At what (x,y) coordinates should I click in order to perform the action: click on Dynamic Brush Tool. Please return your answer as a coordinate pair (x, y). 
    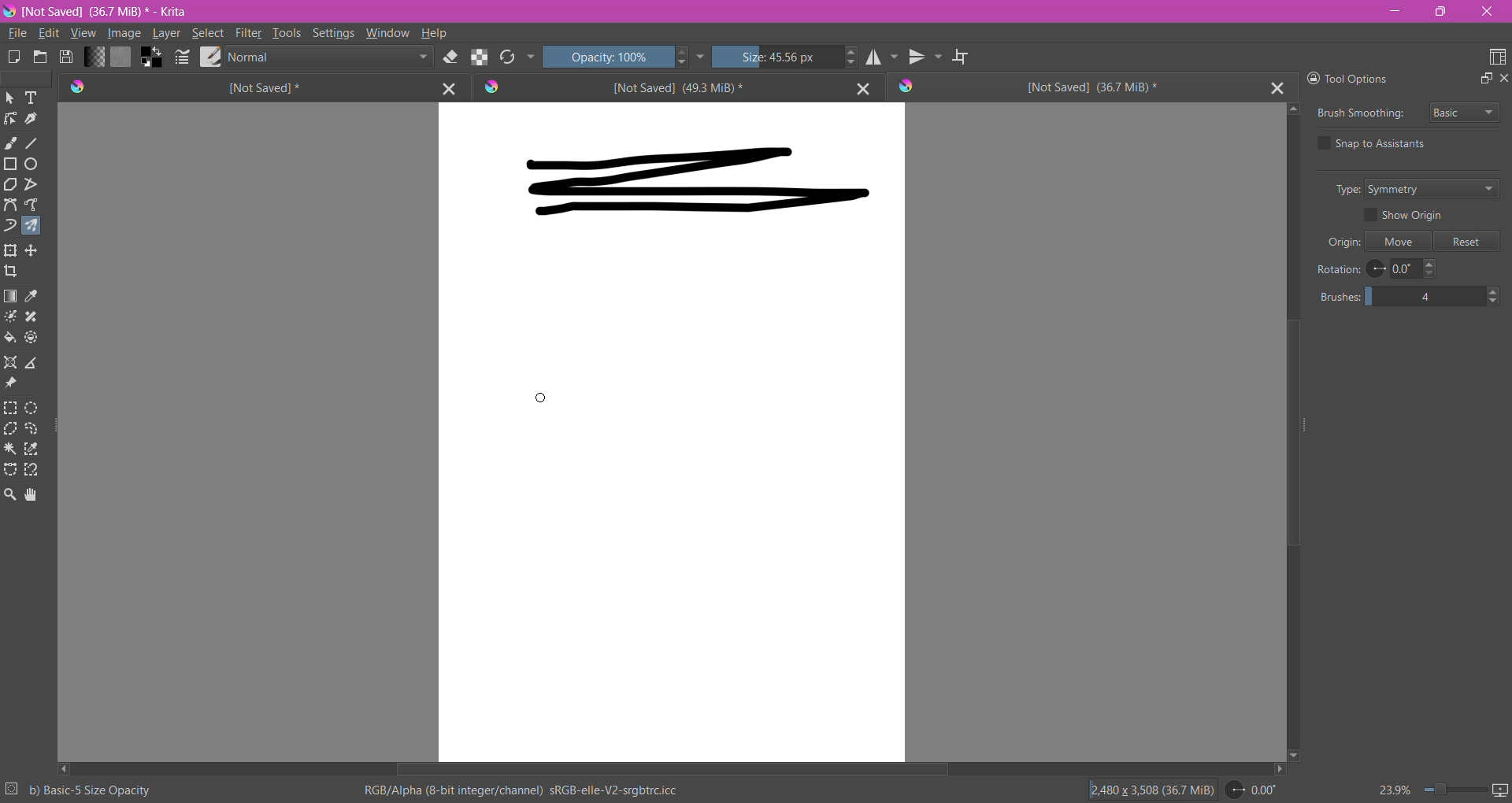
    Looking at the image, I should click on (10, 224).